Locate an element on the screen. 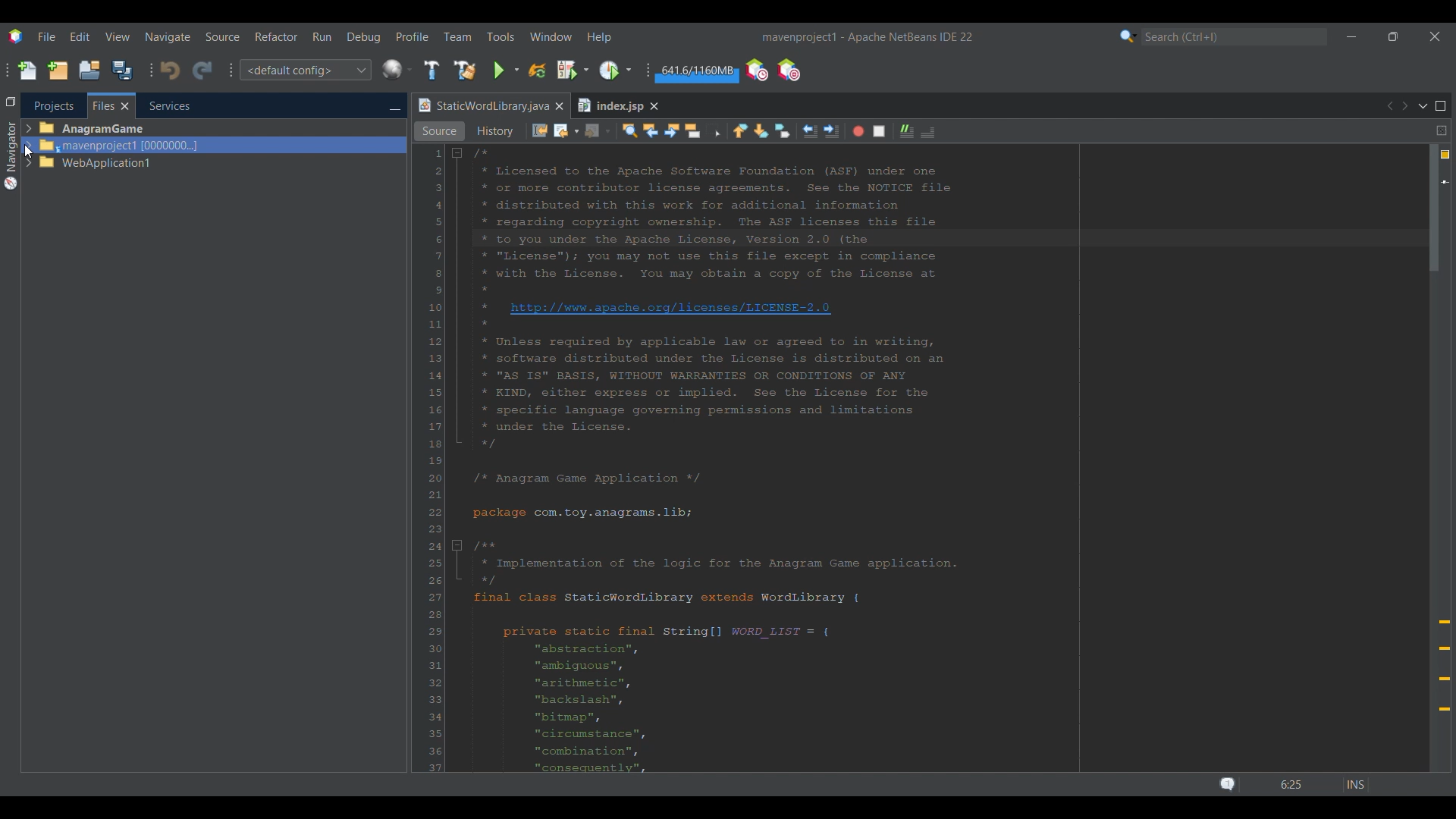  Profile menu is located at coordinates (413, 36).